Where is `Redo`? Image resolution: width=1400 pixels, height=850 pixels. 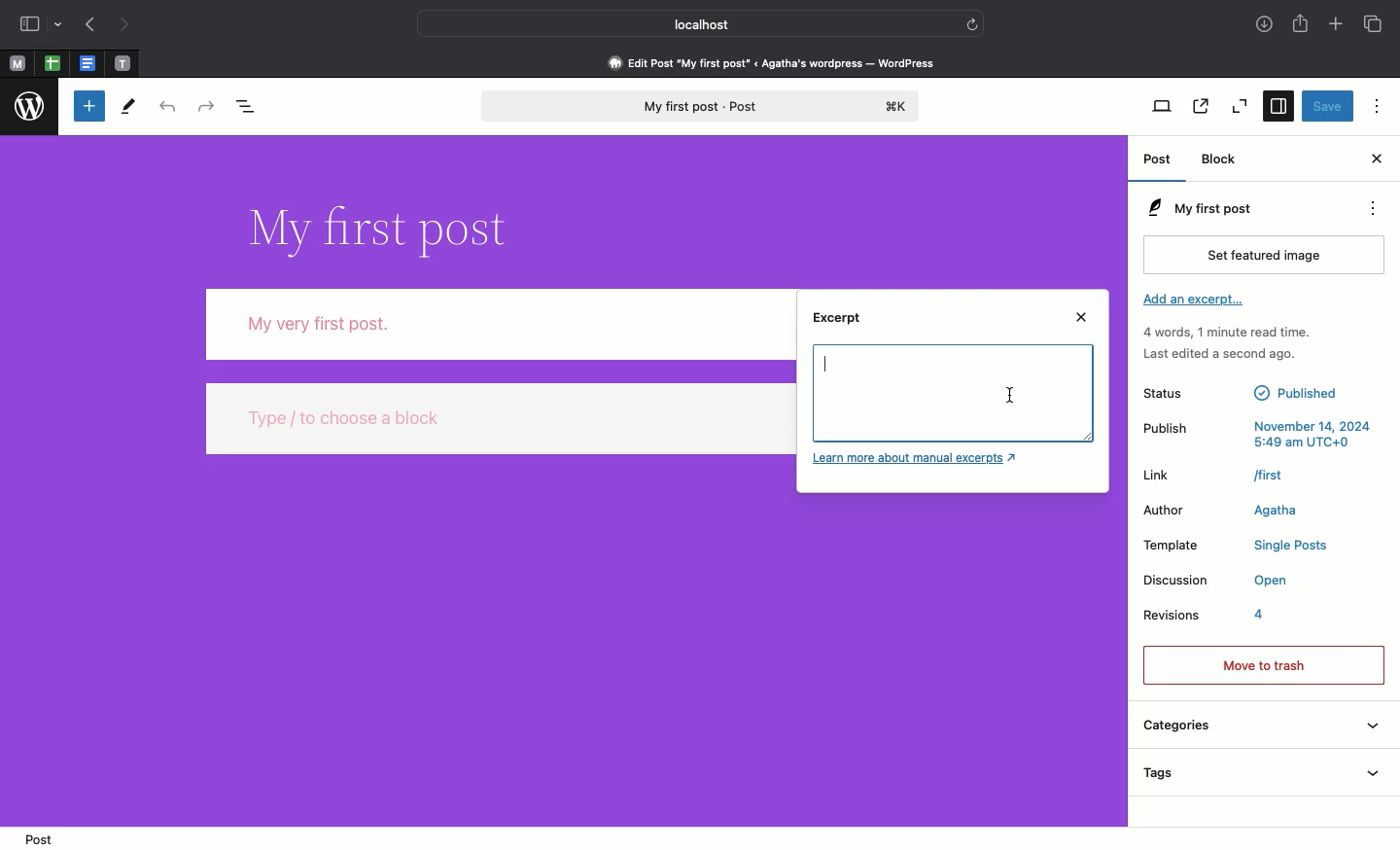 Redo is located at coordinates (206, 106).